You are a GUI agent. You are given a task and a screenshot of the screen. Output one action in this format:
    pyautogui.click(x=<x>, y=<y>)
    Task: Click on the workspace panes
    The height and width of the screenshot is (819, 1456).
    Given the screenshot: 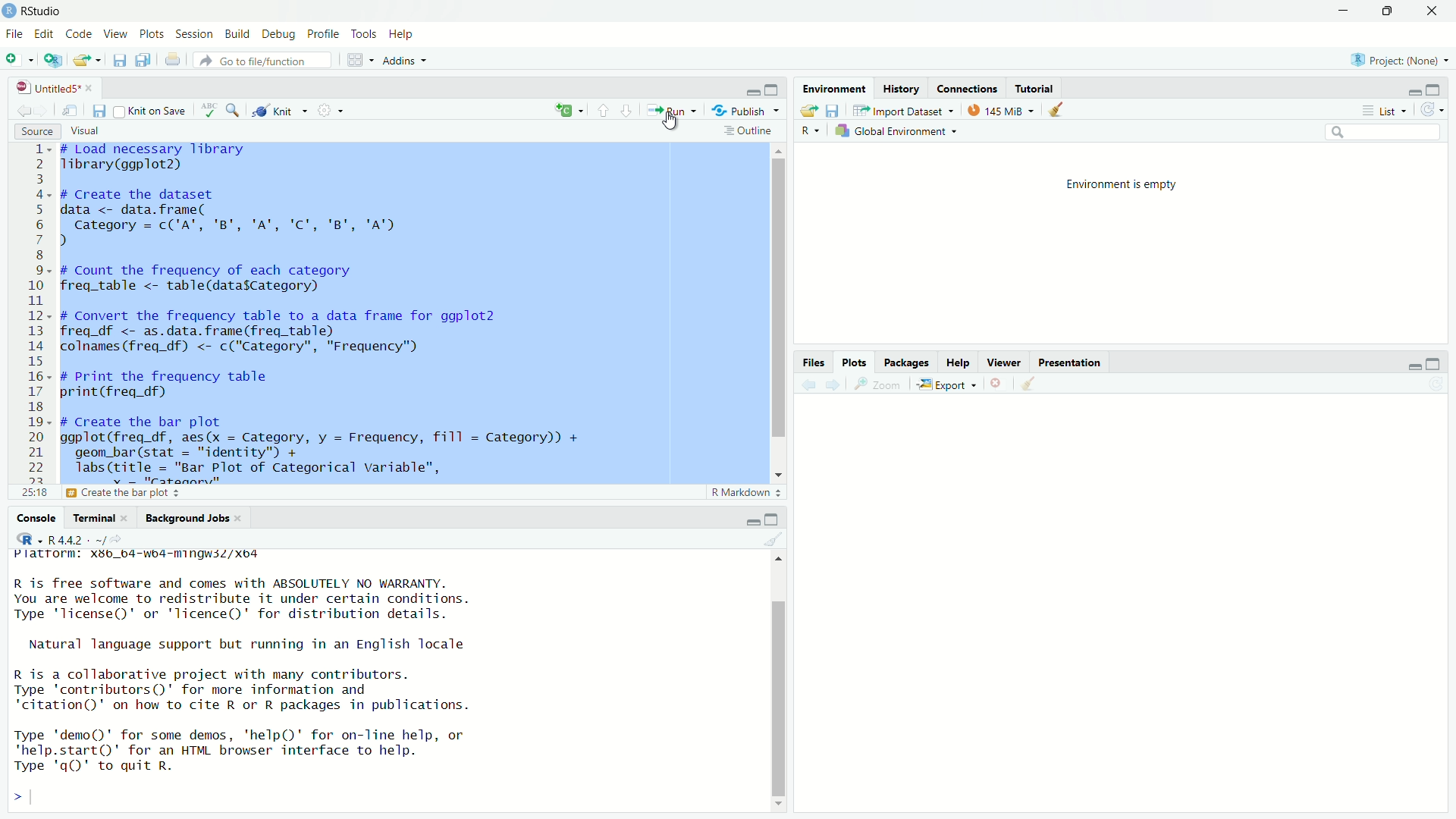 What is the action you would take?
    pyautogui.click(x=358, y=62)
    